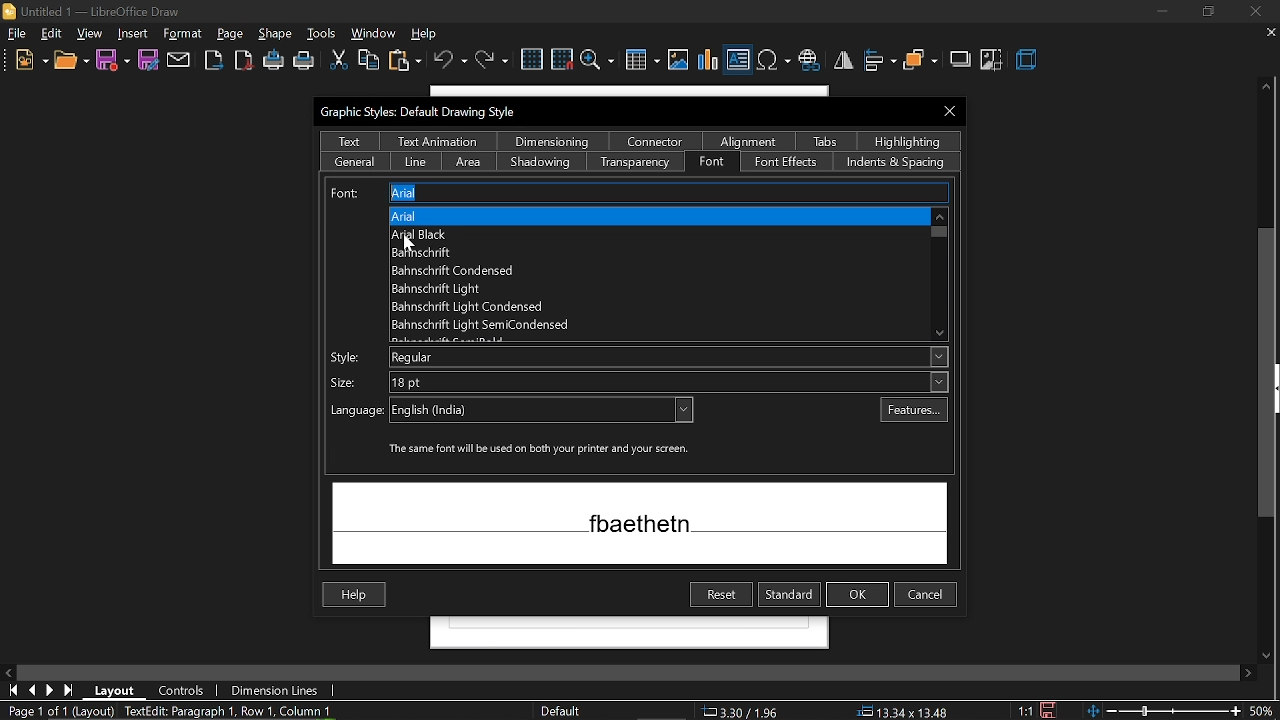 This screenshot has width=1280, height=720. Describe the element at coordinates (541, 161) in the screenshot. I see `shadowing` at that location.